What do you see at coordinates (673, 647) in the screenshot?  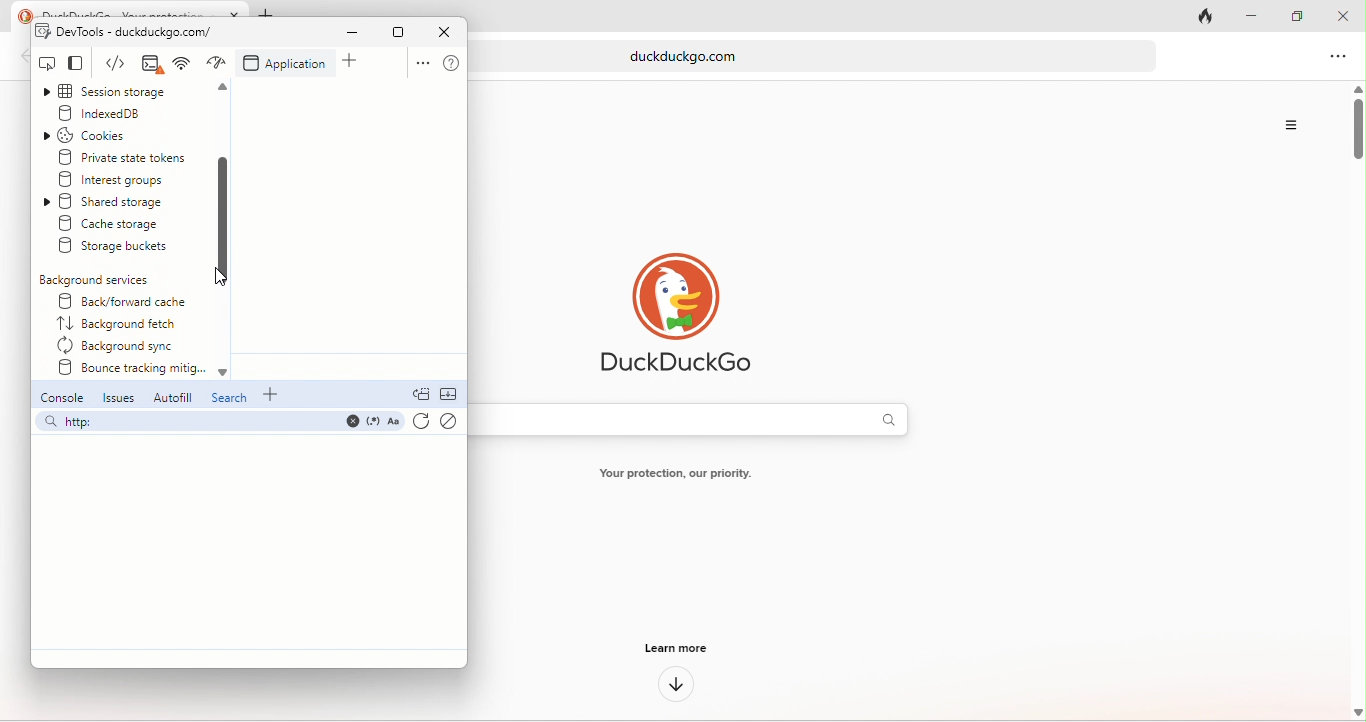 I see `learn more` at bounding box center [673, 647].